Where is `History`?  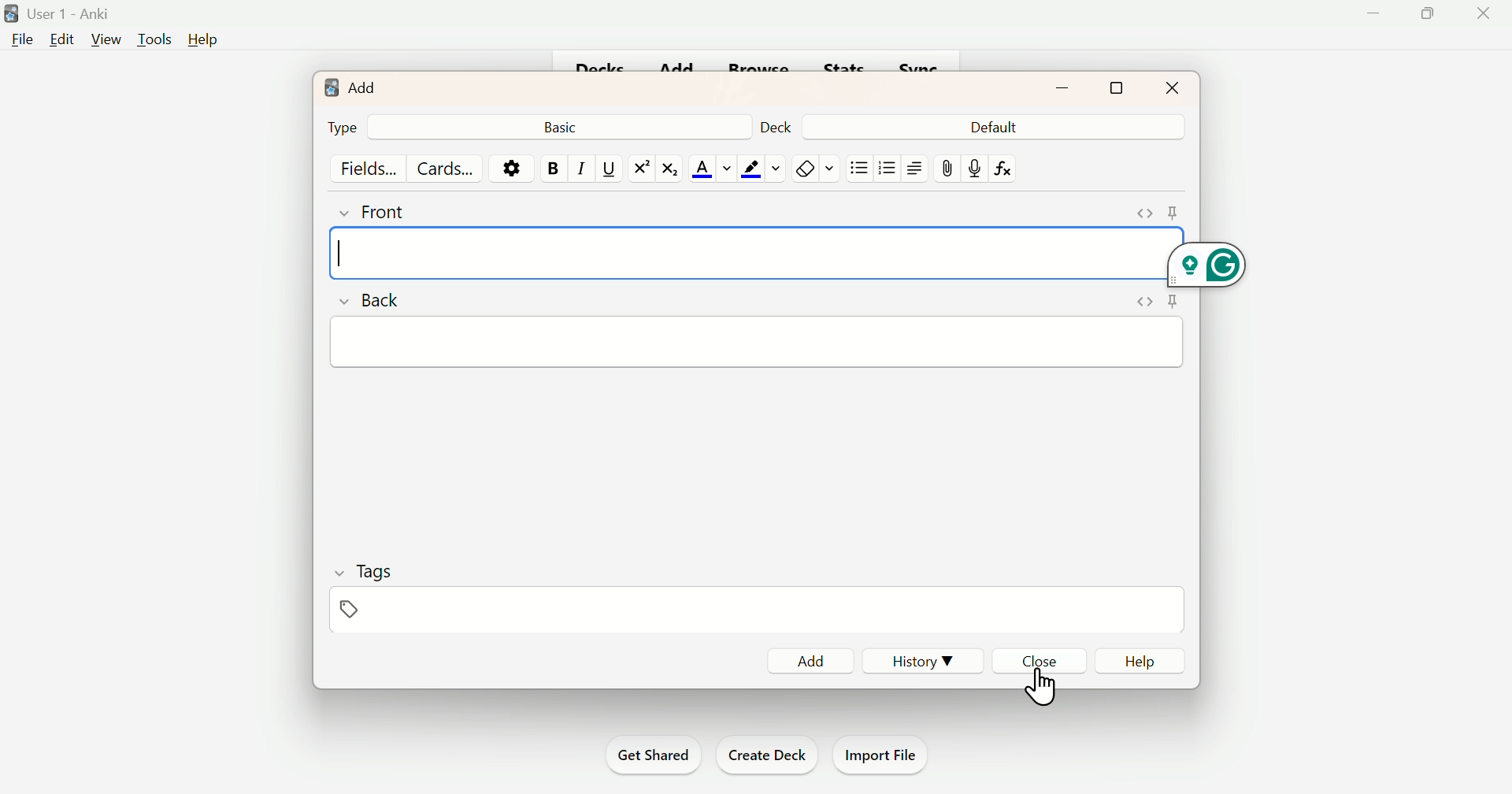 History is located at coordinates (925, 662).